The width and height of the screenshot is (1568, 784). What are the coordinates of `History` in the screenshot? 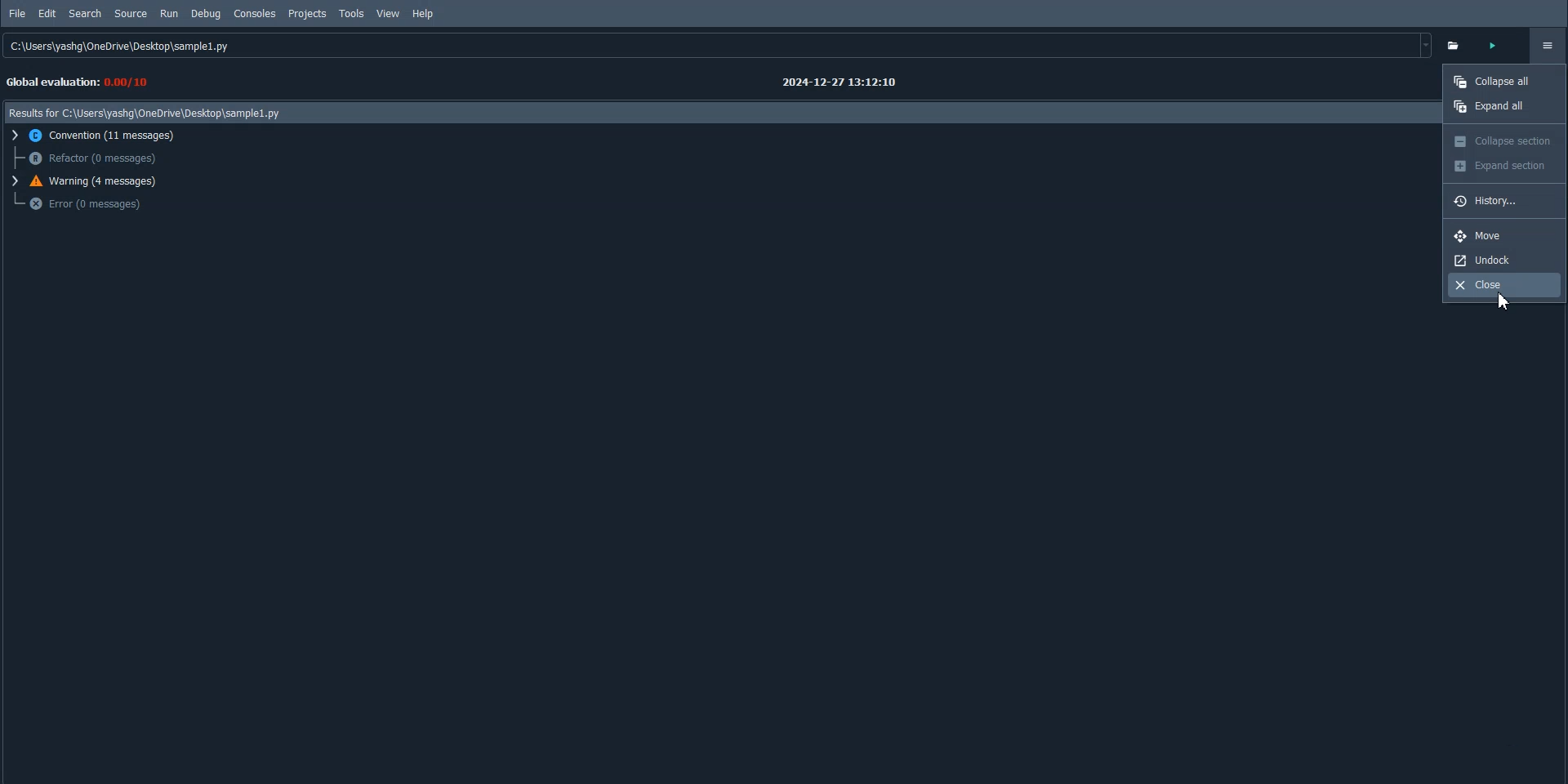 It's located at (1503, 201).